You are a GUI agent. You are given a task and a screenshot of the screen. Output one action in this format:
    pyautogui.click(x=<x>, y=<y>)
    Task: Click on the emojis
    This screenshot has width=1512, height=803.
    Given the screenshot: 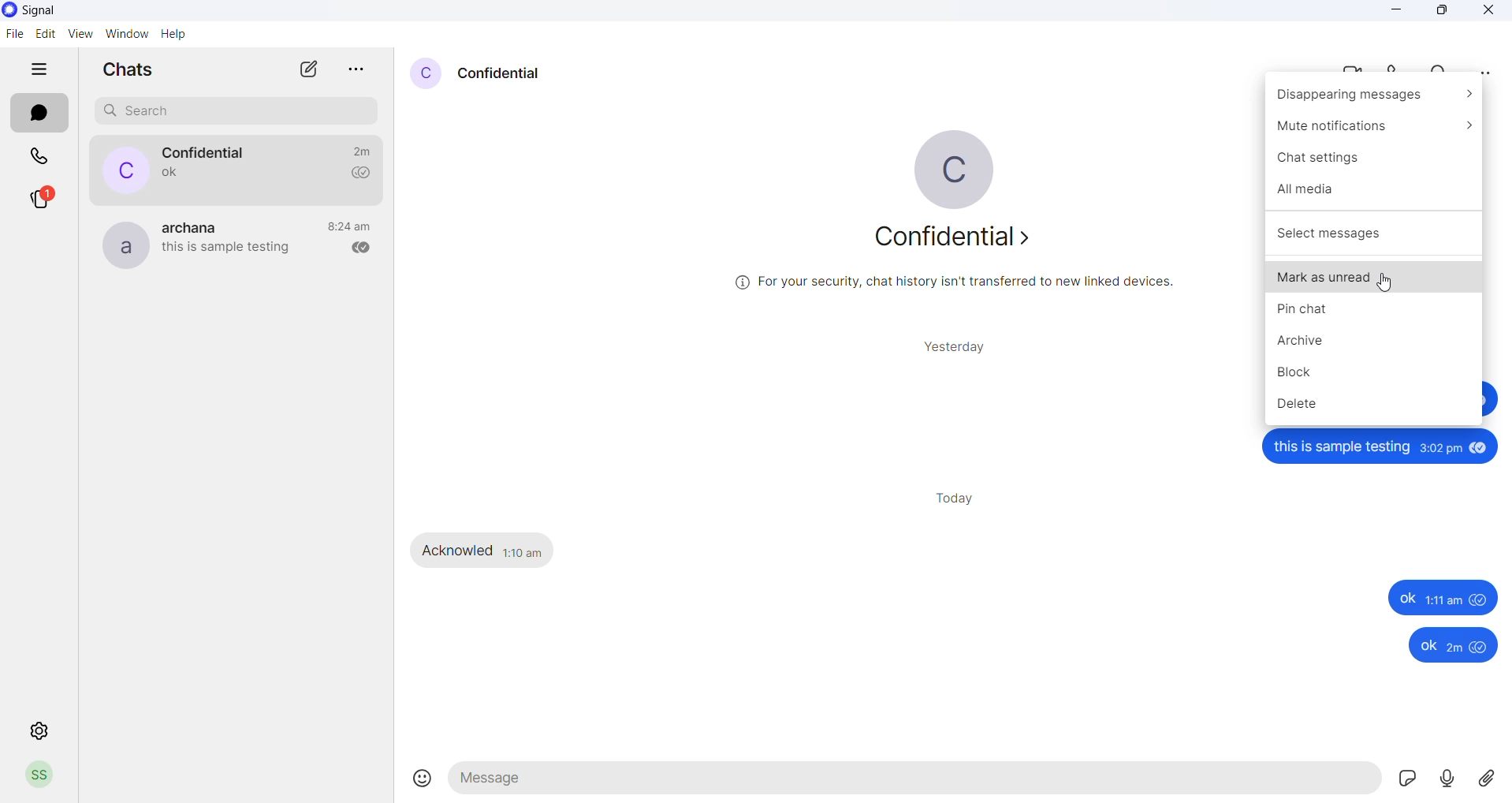 What is the action you would take?
    pyautogui.click(x=420, y=780)
    